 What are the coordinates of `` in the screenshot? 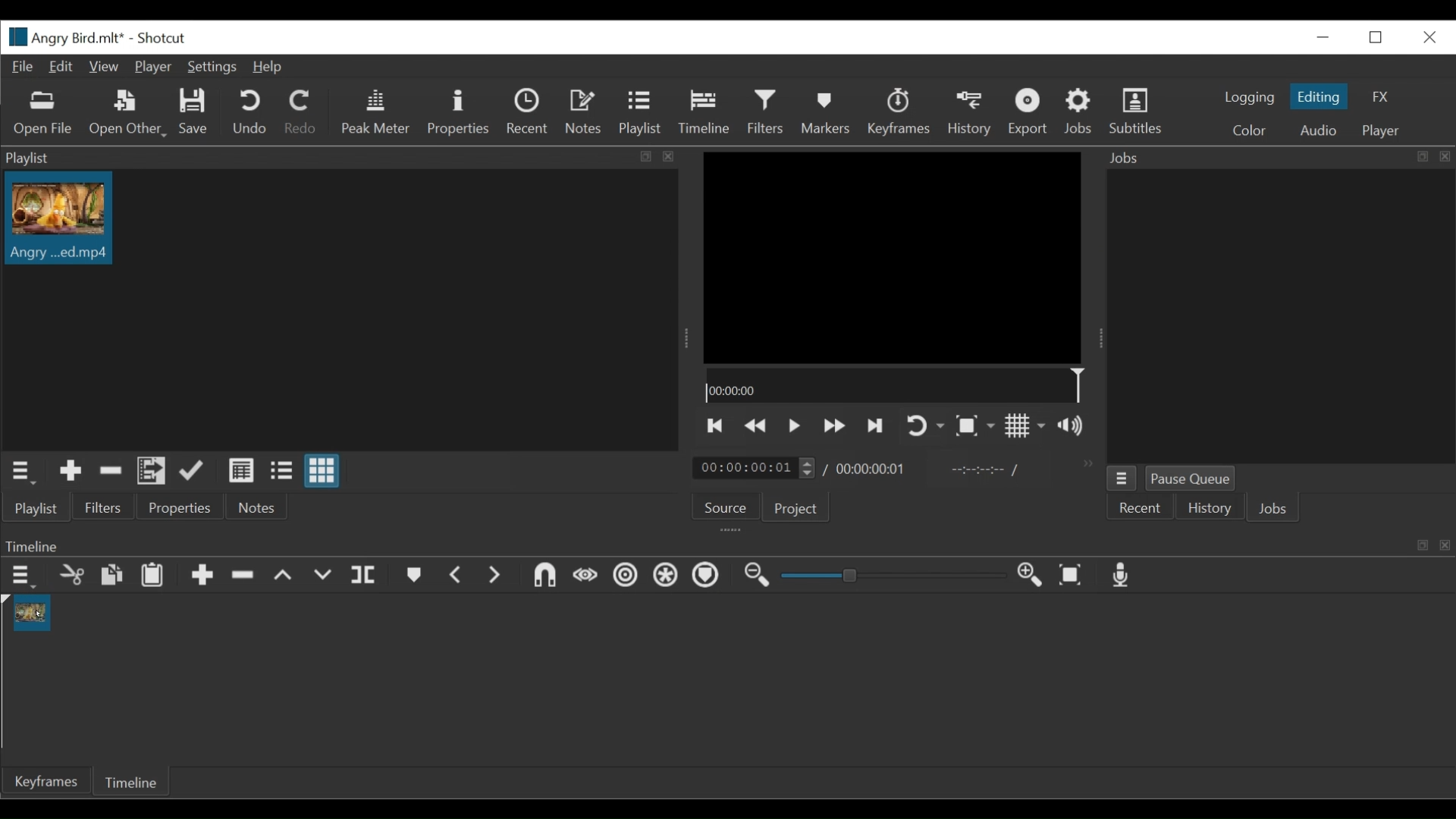 It's located at (102, 68).